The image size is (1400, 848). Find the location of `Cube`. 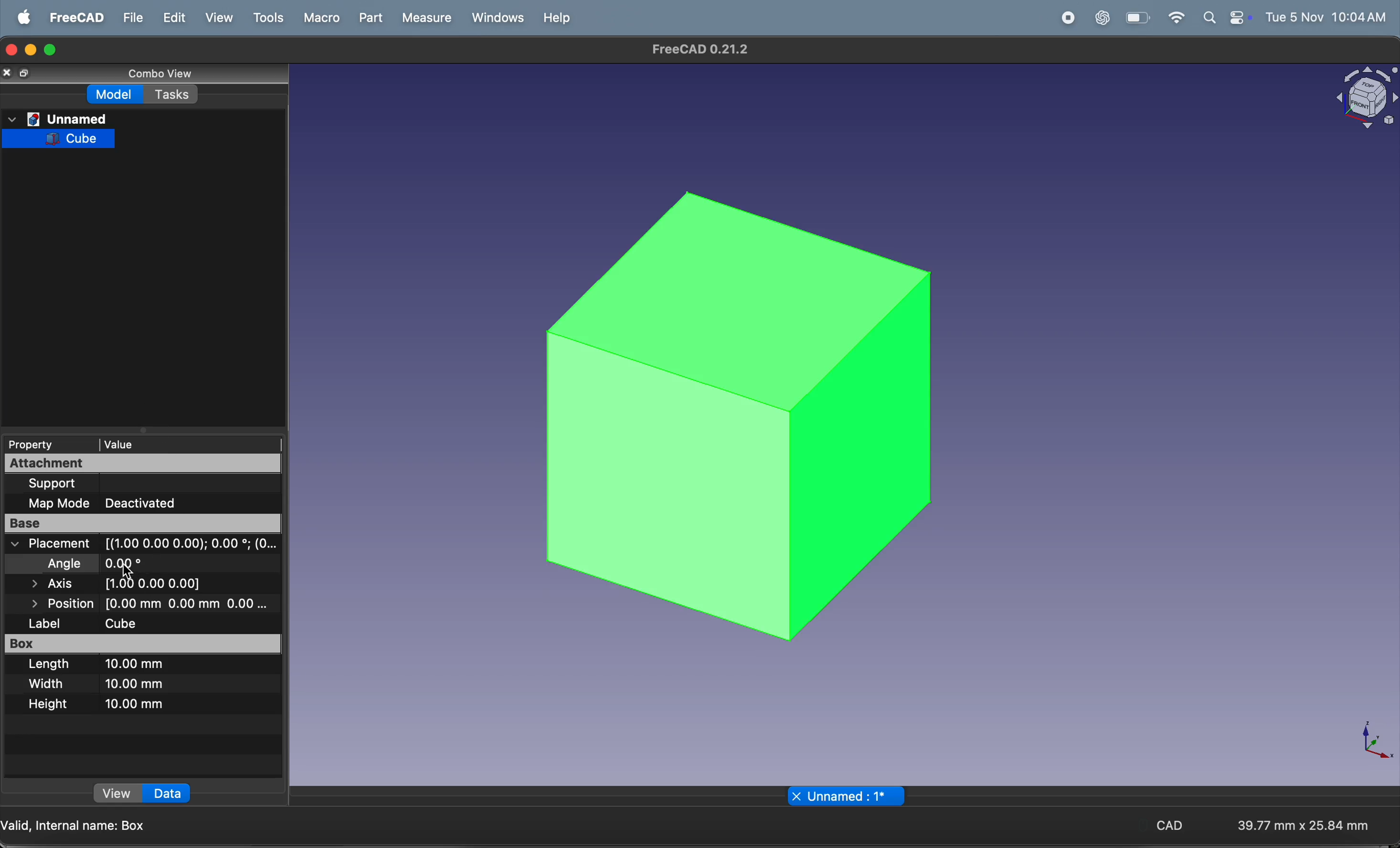

Cube is located at coordinates (60, 140).